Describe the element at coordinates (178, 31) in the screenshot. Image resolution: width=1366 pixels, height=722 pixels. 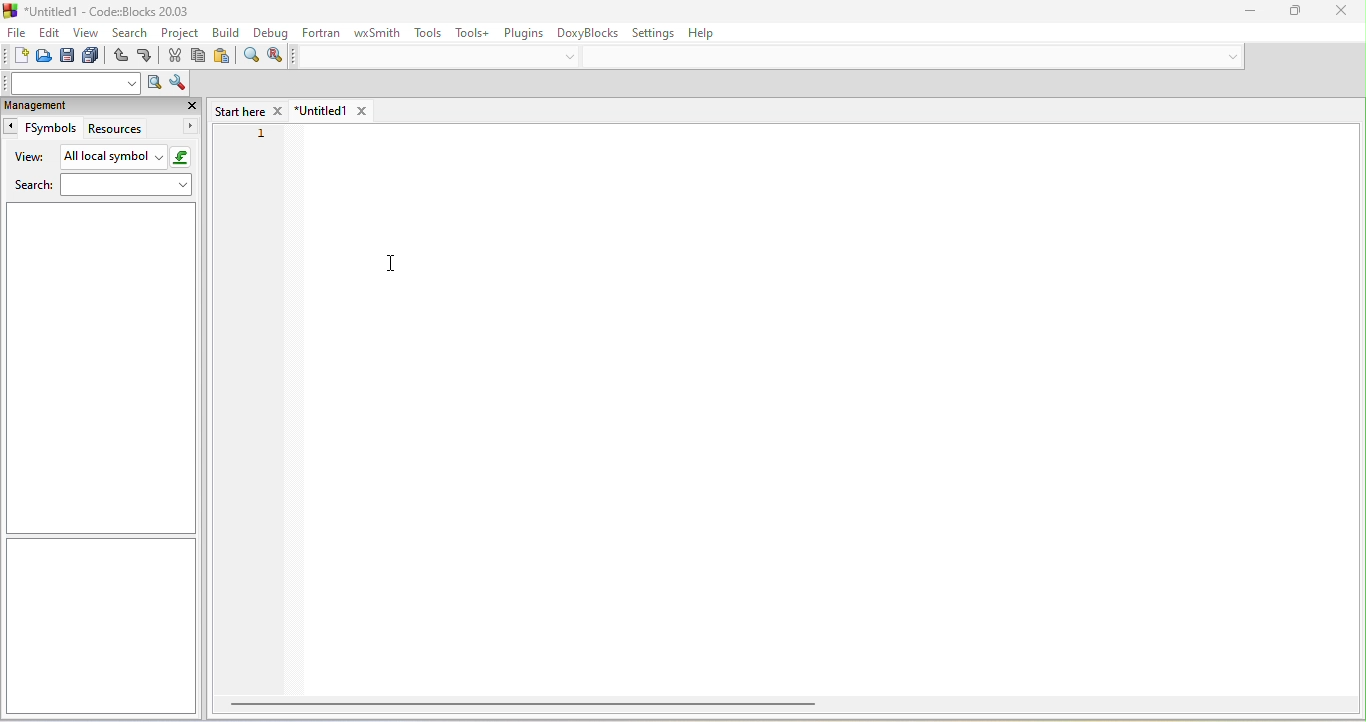
I see `project` at that location.